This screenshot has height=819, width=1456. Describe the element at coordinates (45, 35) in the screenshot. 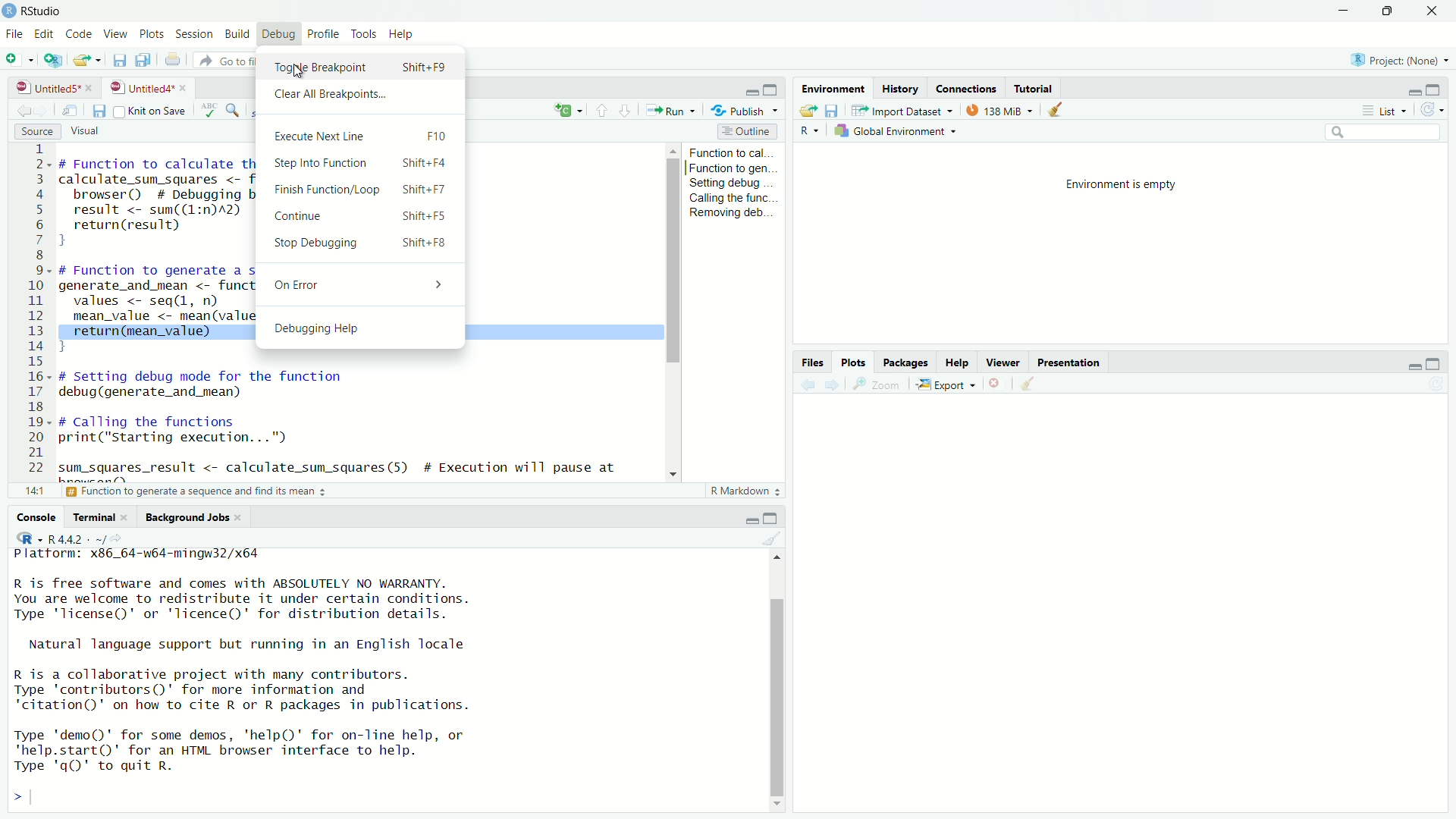

I see `edit` at that location.